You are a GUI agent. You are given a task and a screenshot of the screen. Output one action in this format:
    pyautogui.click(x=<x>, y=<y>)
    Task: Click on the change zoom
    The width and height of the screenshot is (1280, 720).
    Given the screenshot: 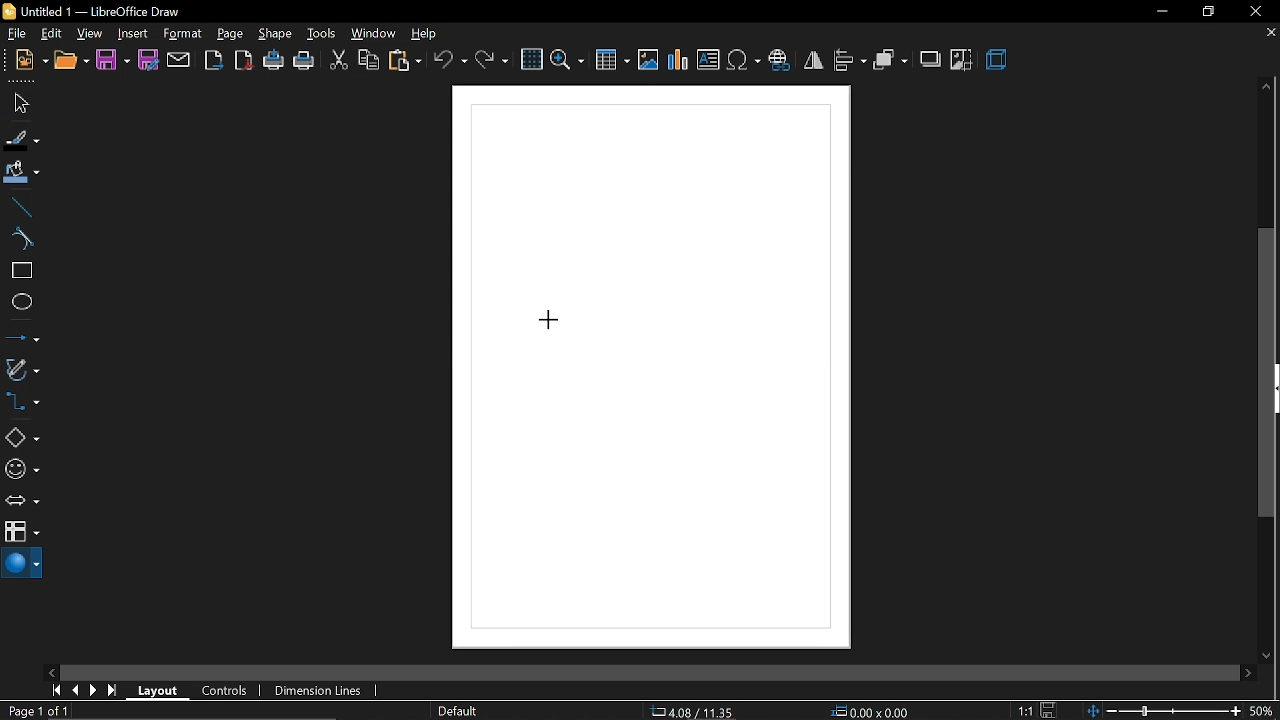 What is the action you would take?
    pyautogui.click(x=1164, y=712)
    